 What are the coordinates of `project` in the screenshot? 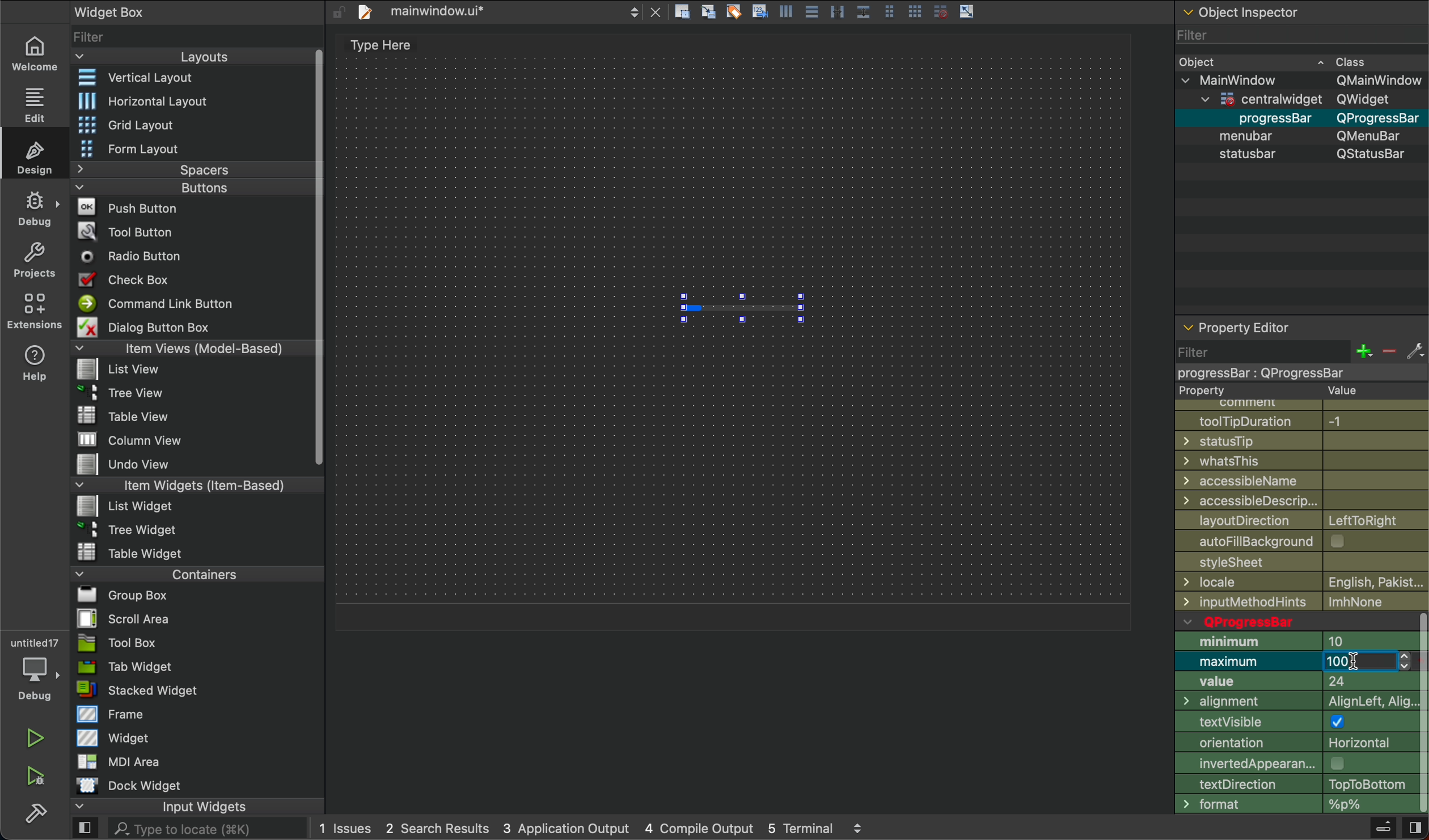 It's located at (36, 260).